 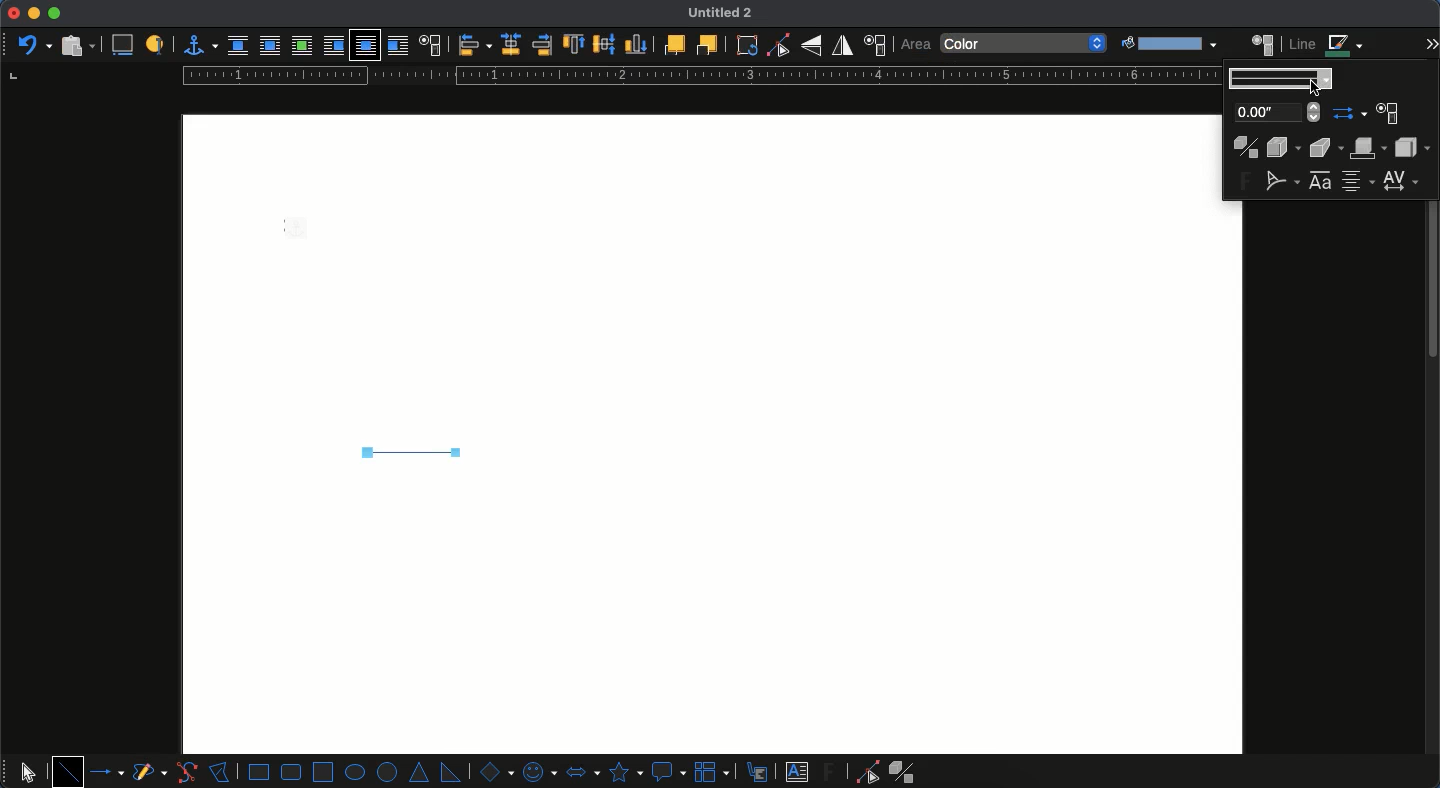 What do you see at coordinates (292, 772) in the screenshot?
I see `rounded rectangle` at bounding box center [292, 772].